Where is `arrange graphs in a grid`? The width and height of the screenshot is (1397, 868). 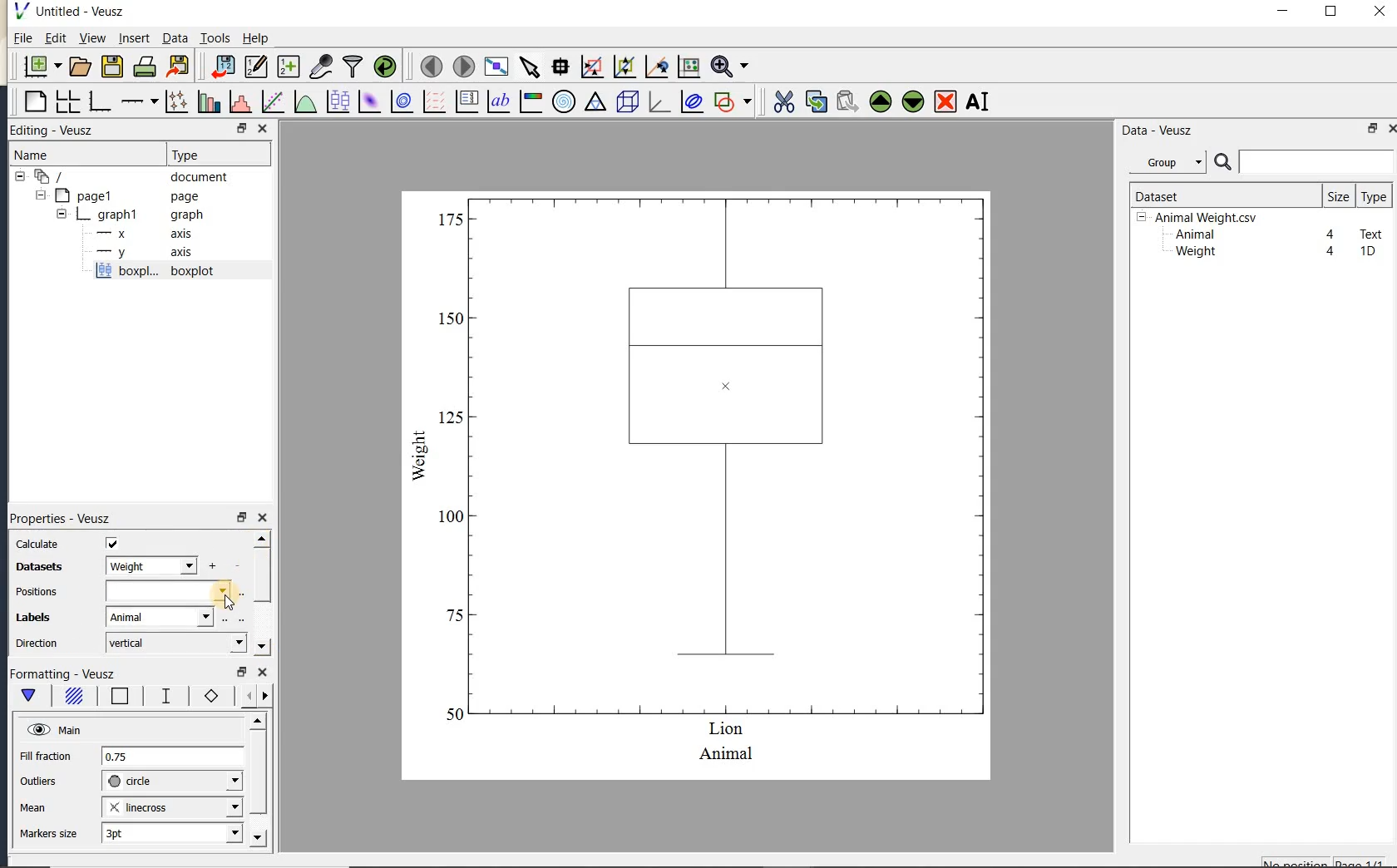
arrange graphs in a grid is located at coordinates (67, 101).